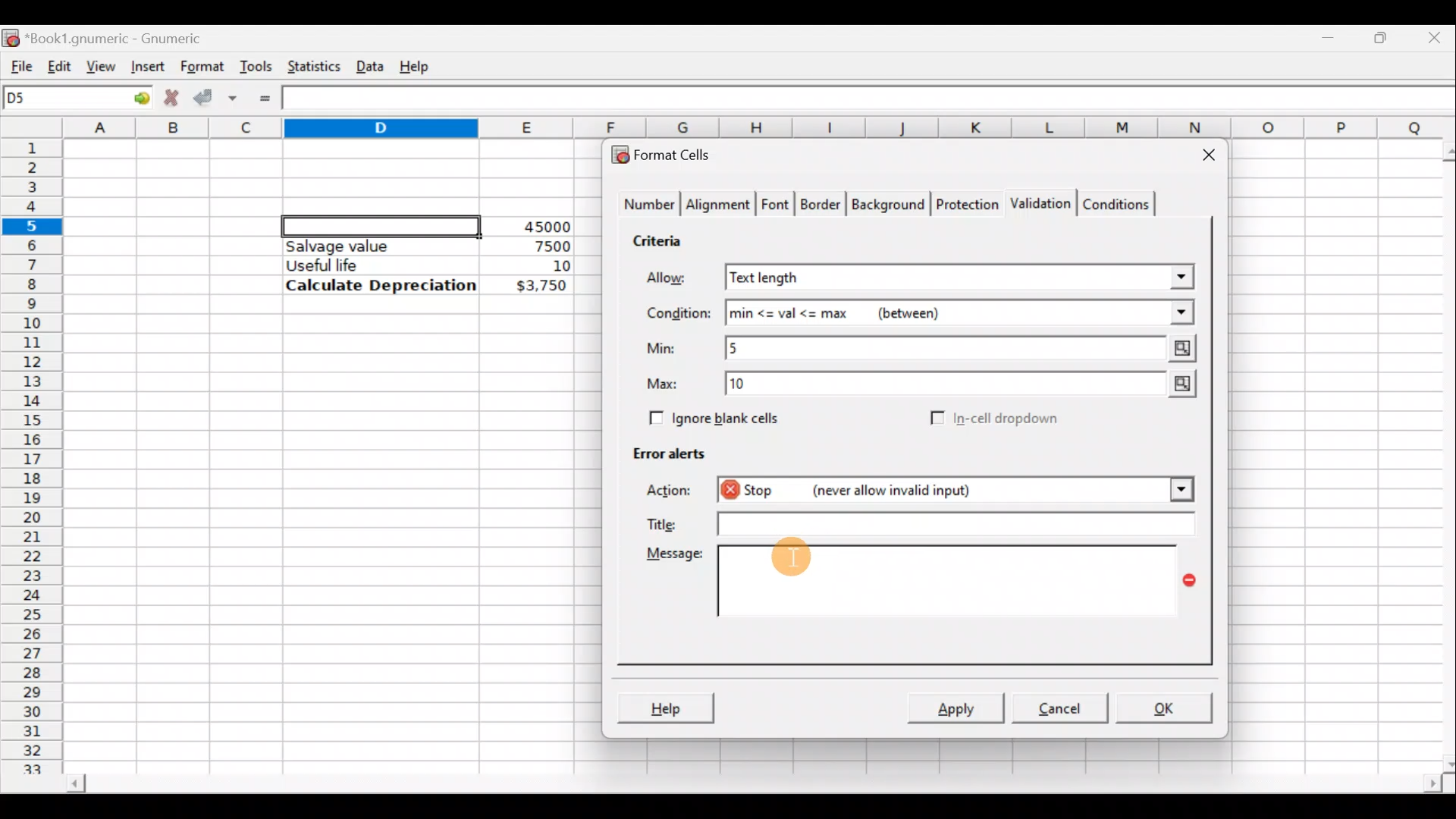 This screenshot has width=1456, height=819. Describe the element at coordinates (668, 384) in the screenshot. I see `Max` at that location.